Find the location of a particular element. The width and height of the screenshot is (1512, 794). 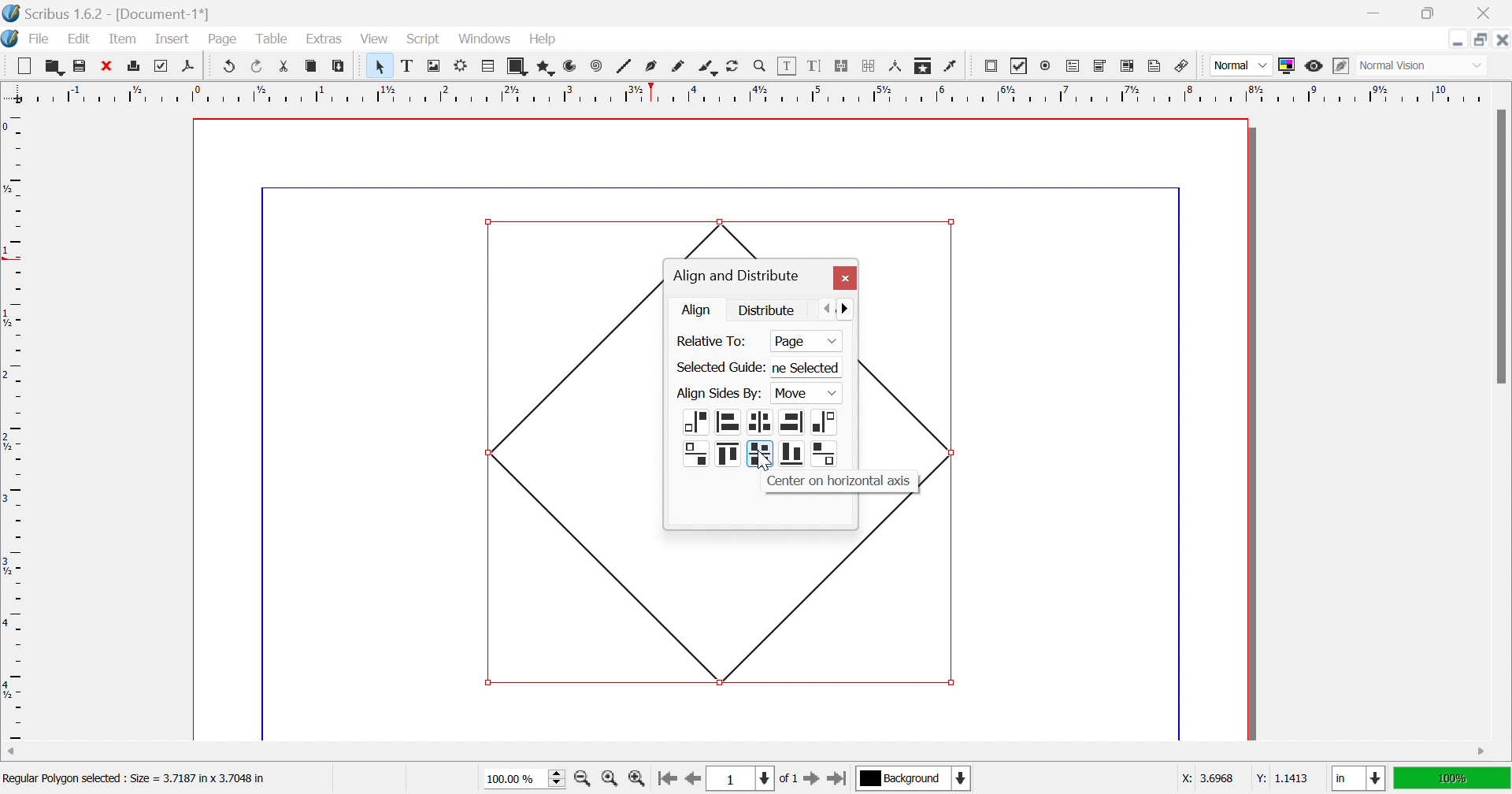

Close is located at coordinates (844, 279).